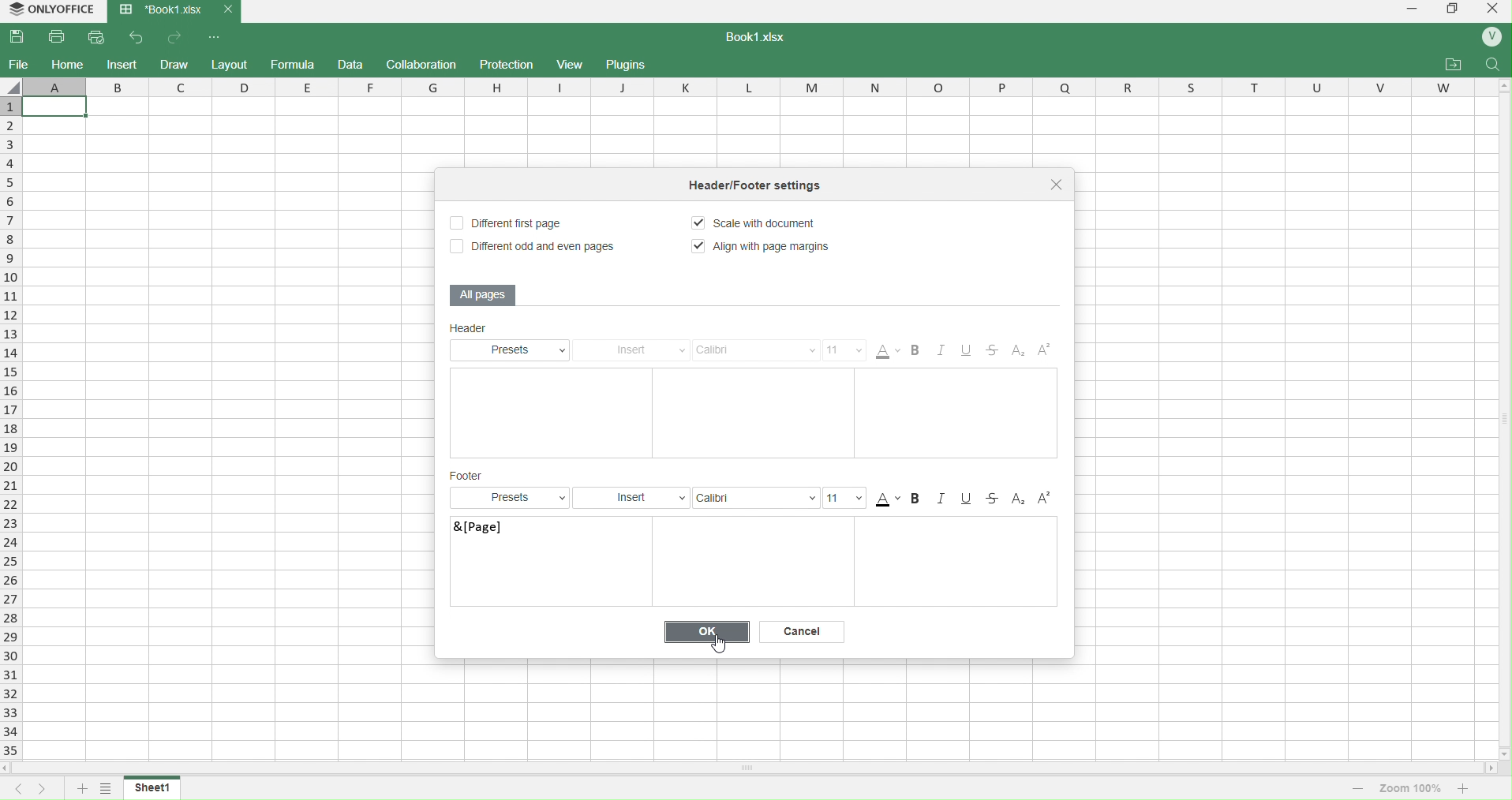 The height and width of the screenshot is (800, 1512). Describe the element at coordinates (920, 499) in the screenshot. I see `Bold` at that location.